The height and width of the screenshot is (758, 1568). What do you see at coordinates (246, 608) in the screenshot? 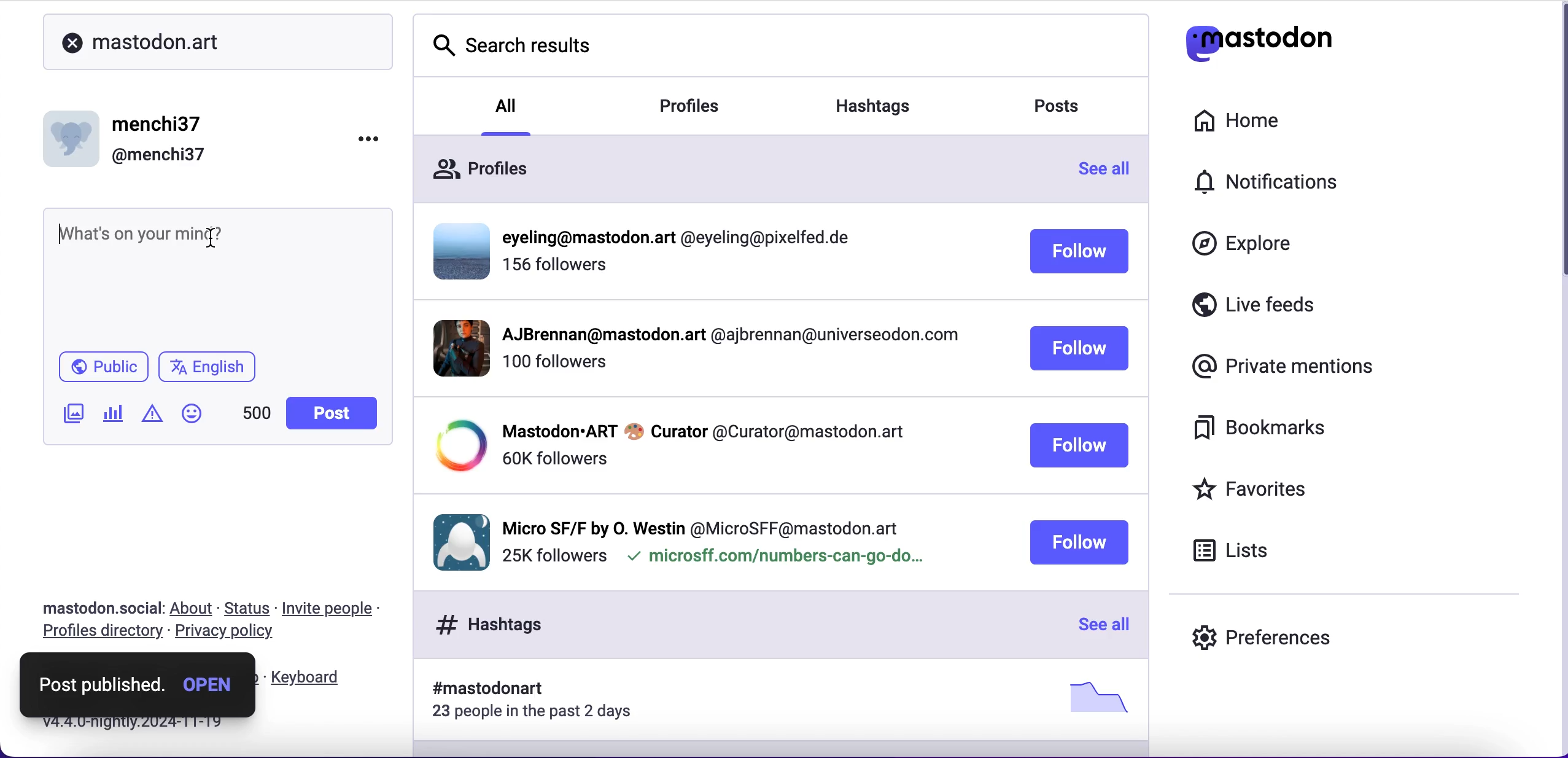
I see `status` at bounding box center [246, 608].